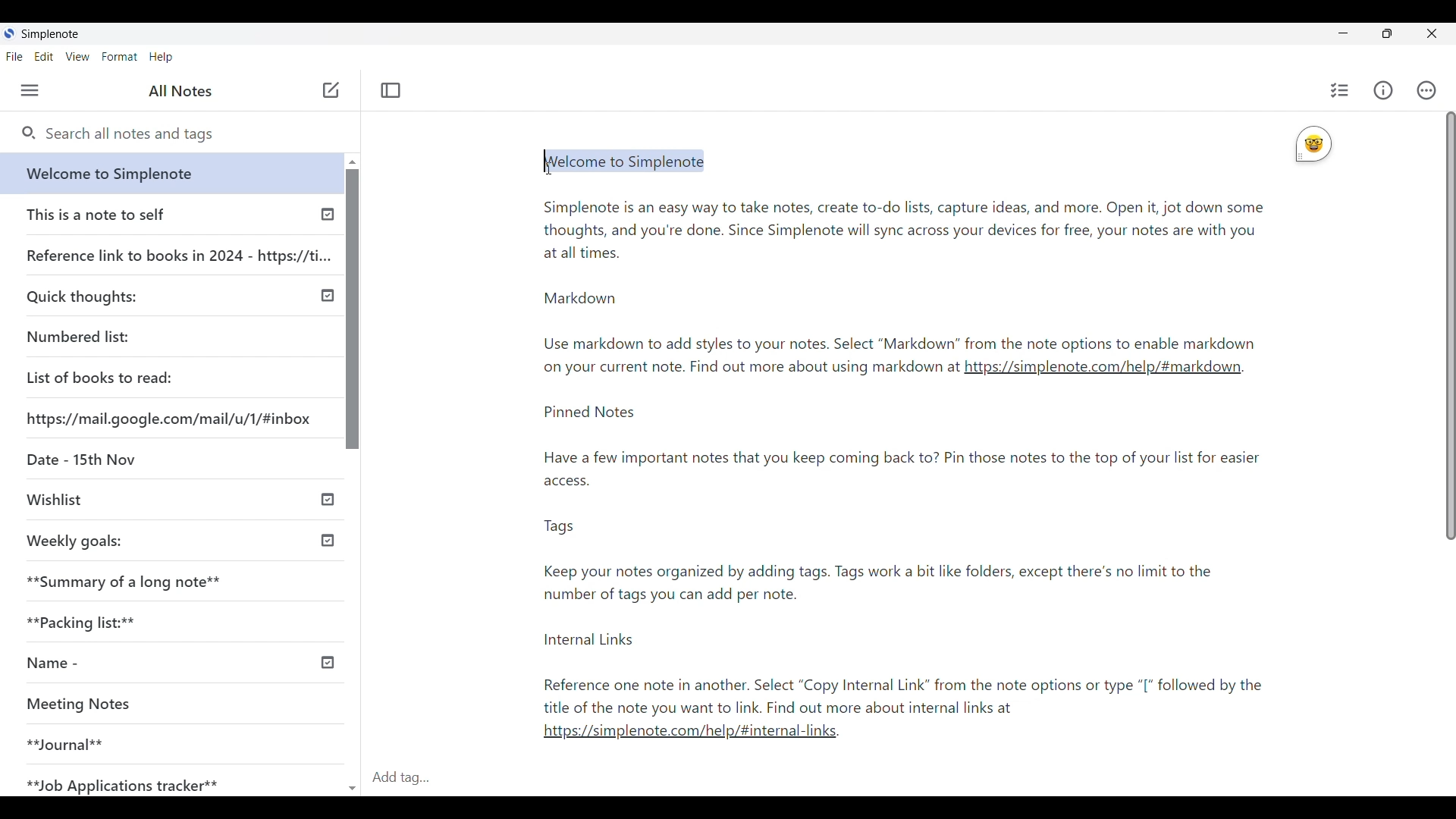 The height and width of the screenshot is (819, 1456). Describe the element at coordinates (47, 664) in the screenshot. I see `Name` at that location.